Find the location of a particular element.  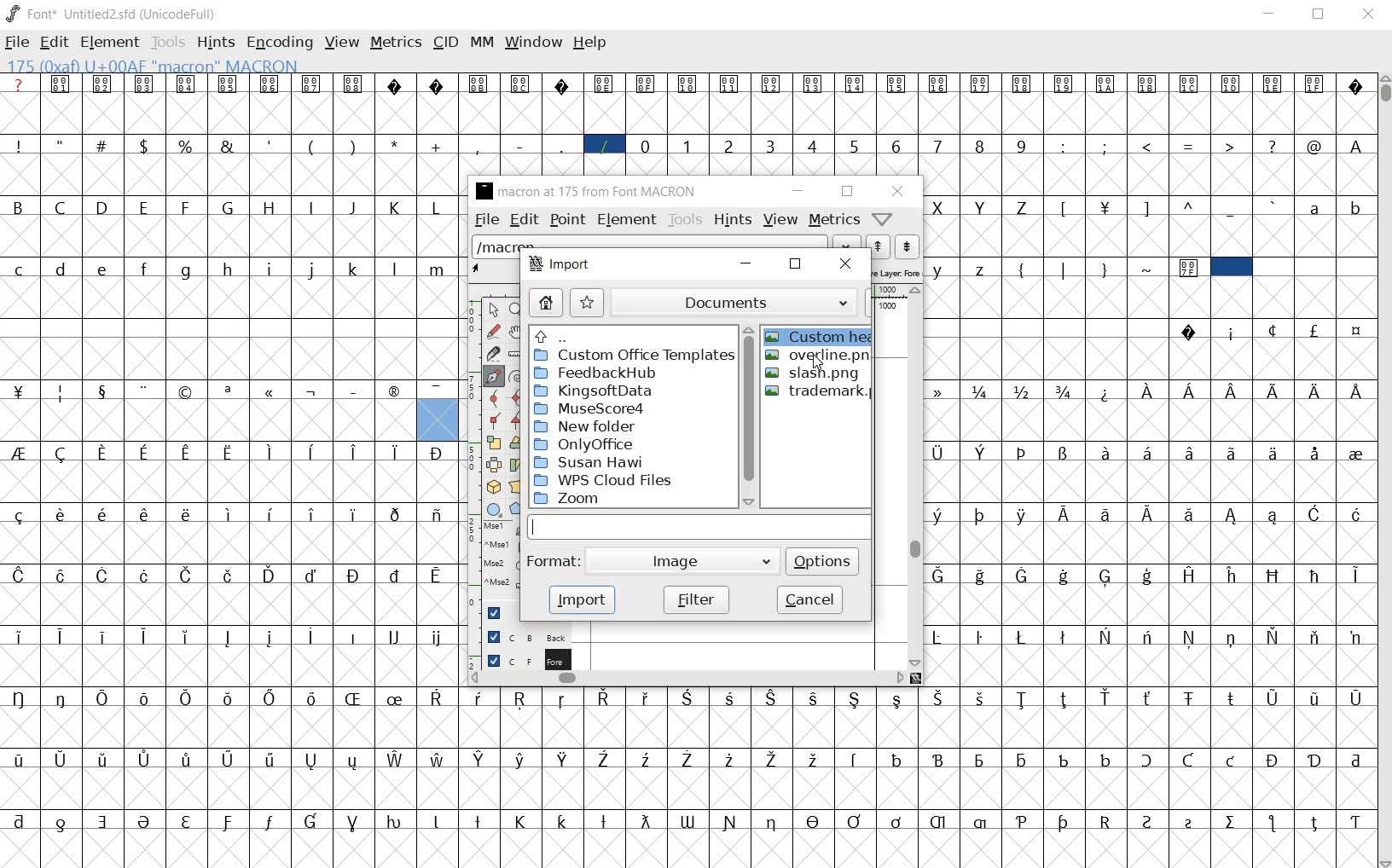

ruler is located at coordinates (470, 476).